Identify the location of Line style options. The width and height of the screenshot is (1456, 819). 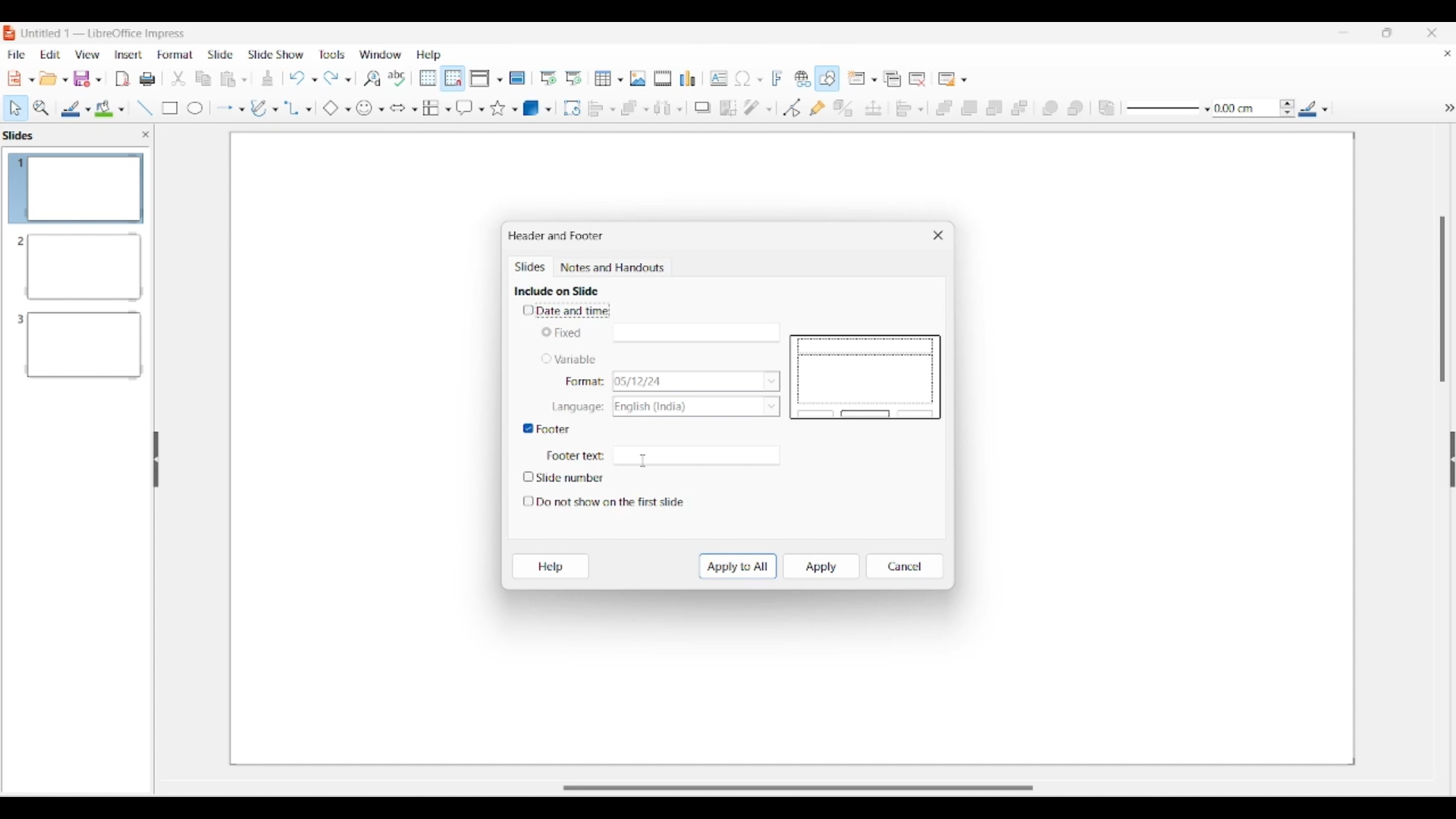
(1169, 109).